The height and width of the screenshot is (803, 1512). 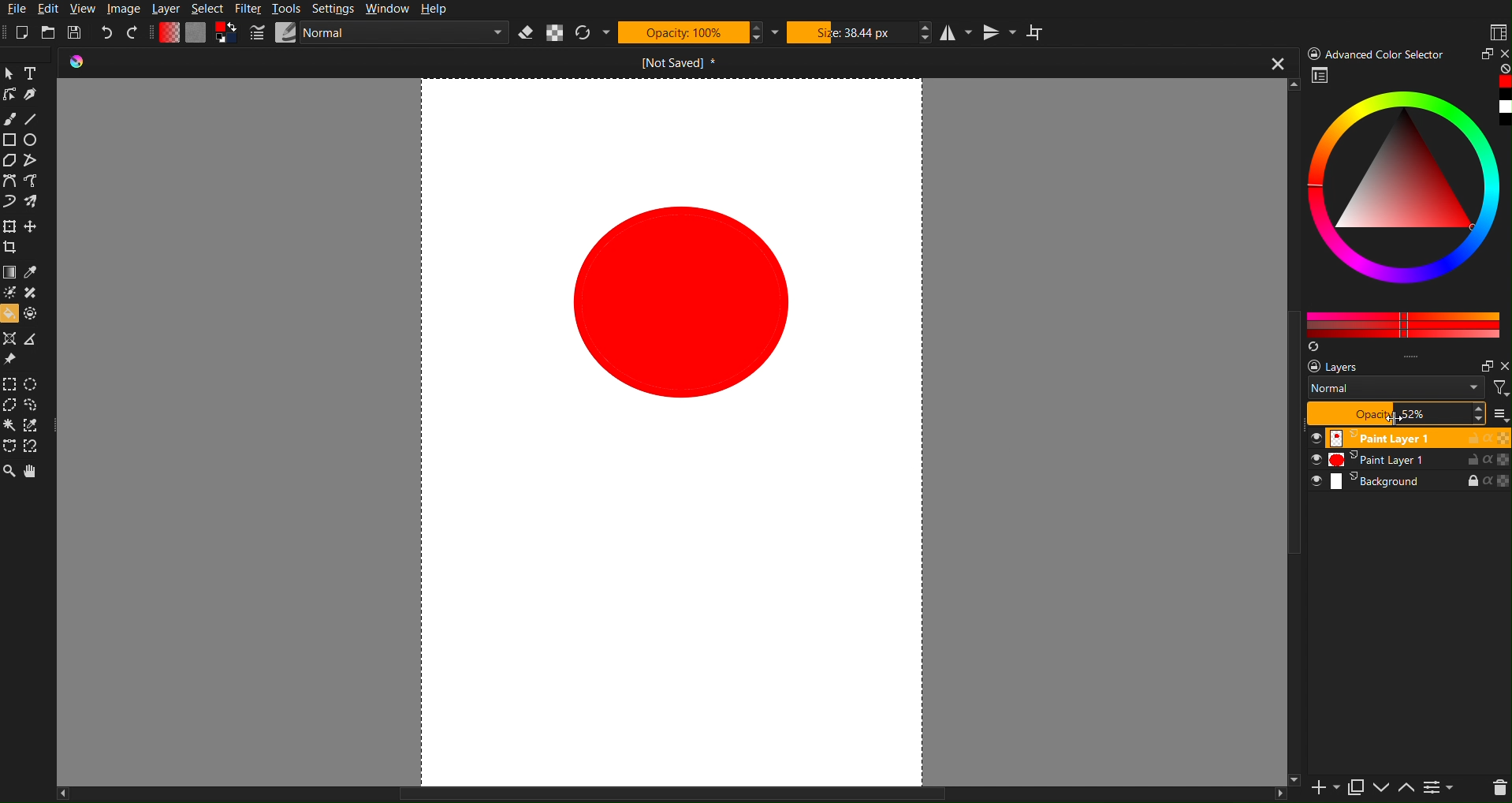 What do you see at coordinates (9, 338) in the screenshot?
I see `Assistant` at bounding box center [9, 338].